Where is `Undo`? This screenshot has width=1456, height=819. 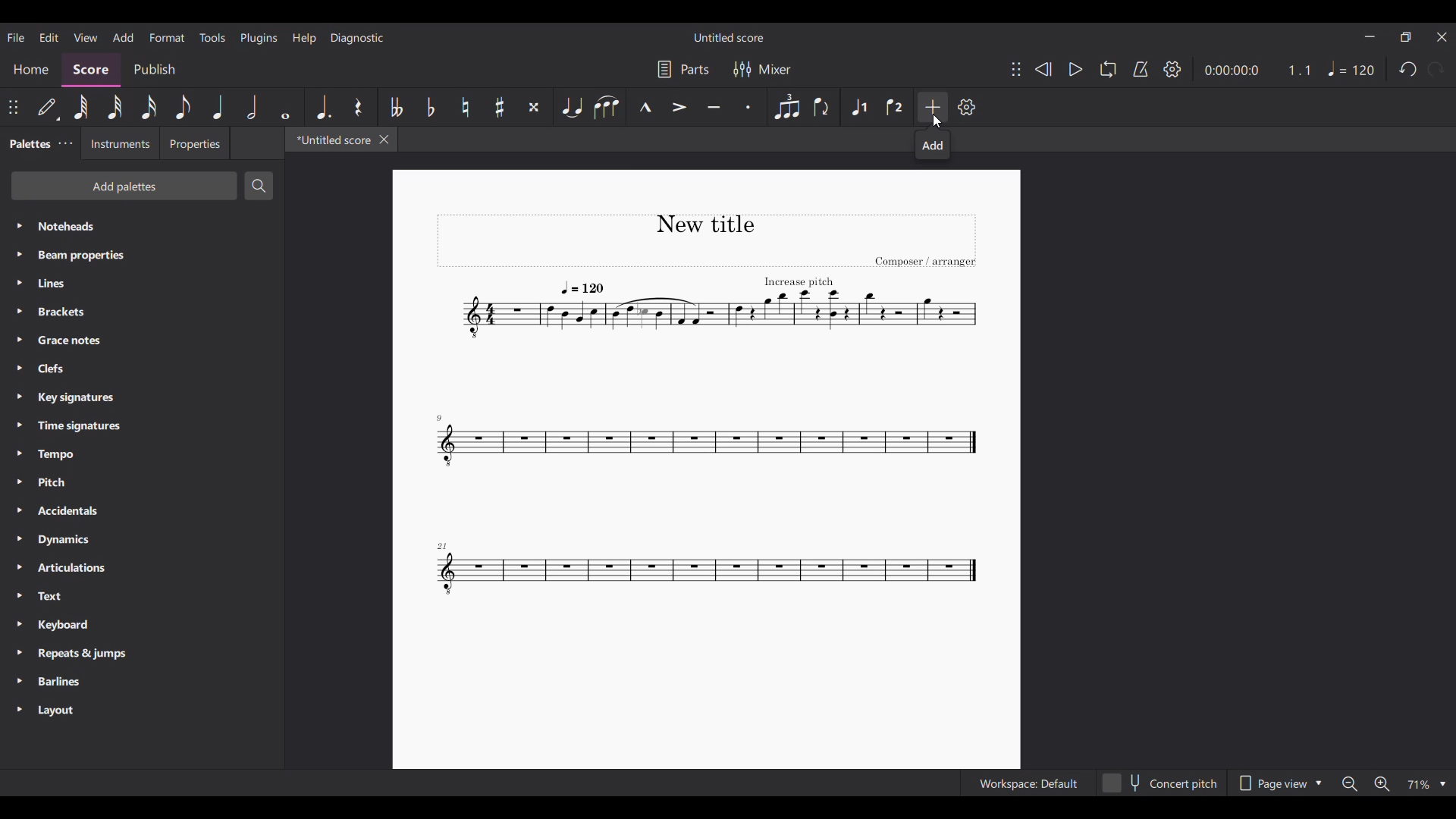 Undo is located at coordinates (1407, 69).